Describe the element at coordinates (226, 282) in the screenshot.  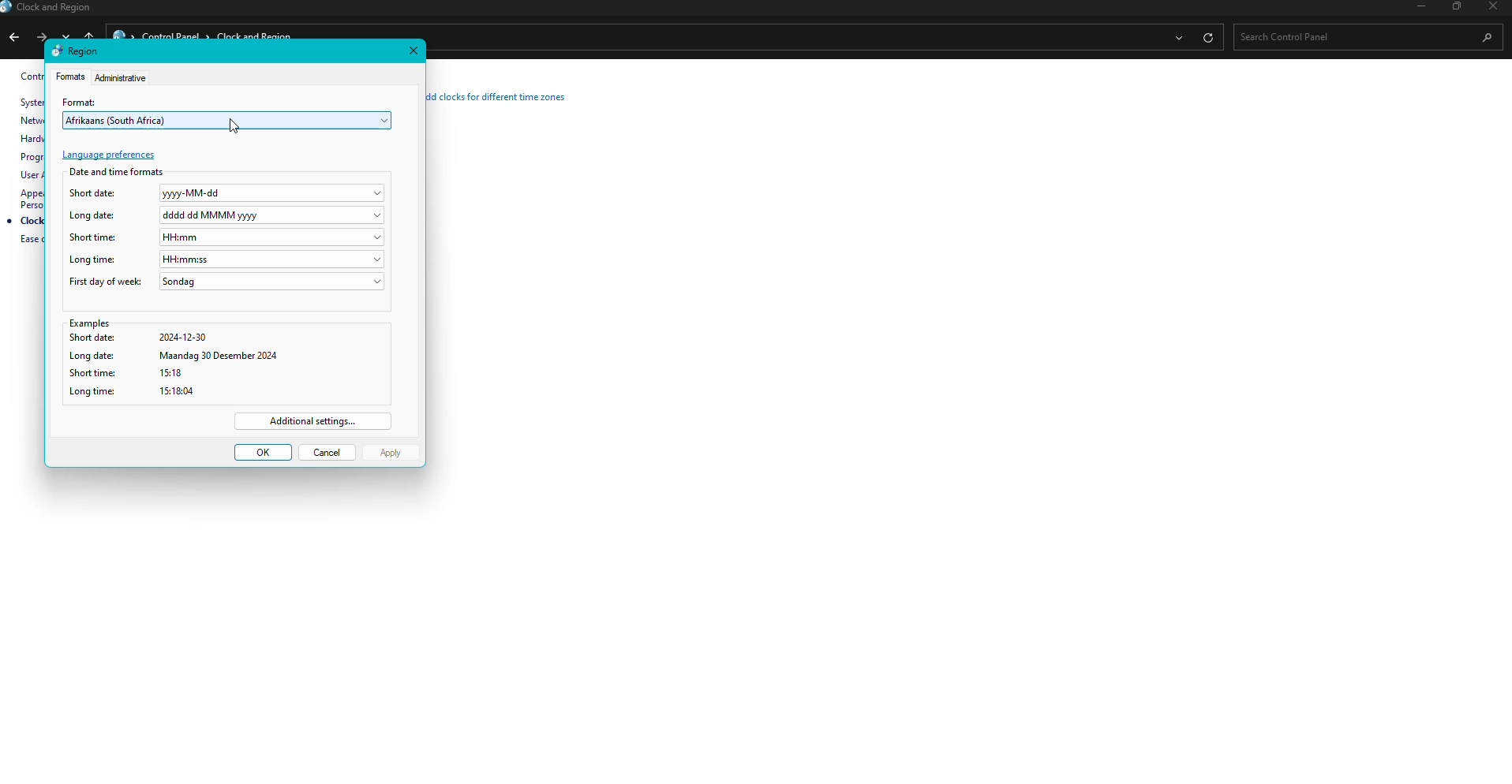
I see `First day of week` at that location.